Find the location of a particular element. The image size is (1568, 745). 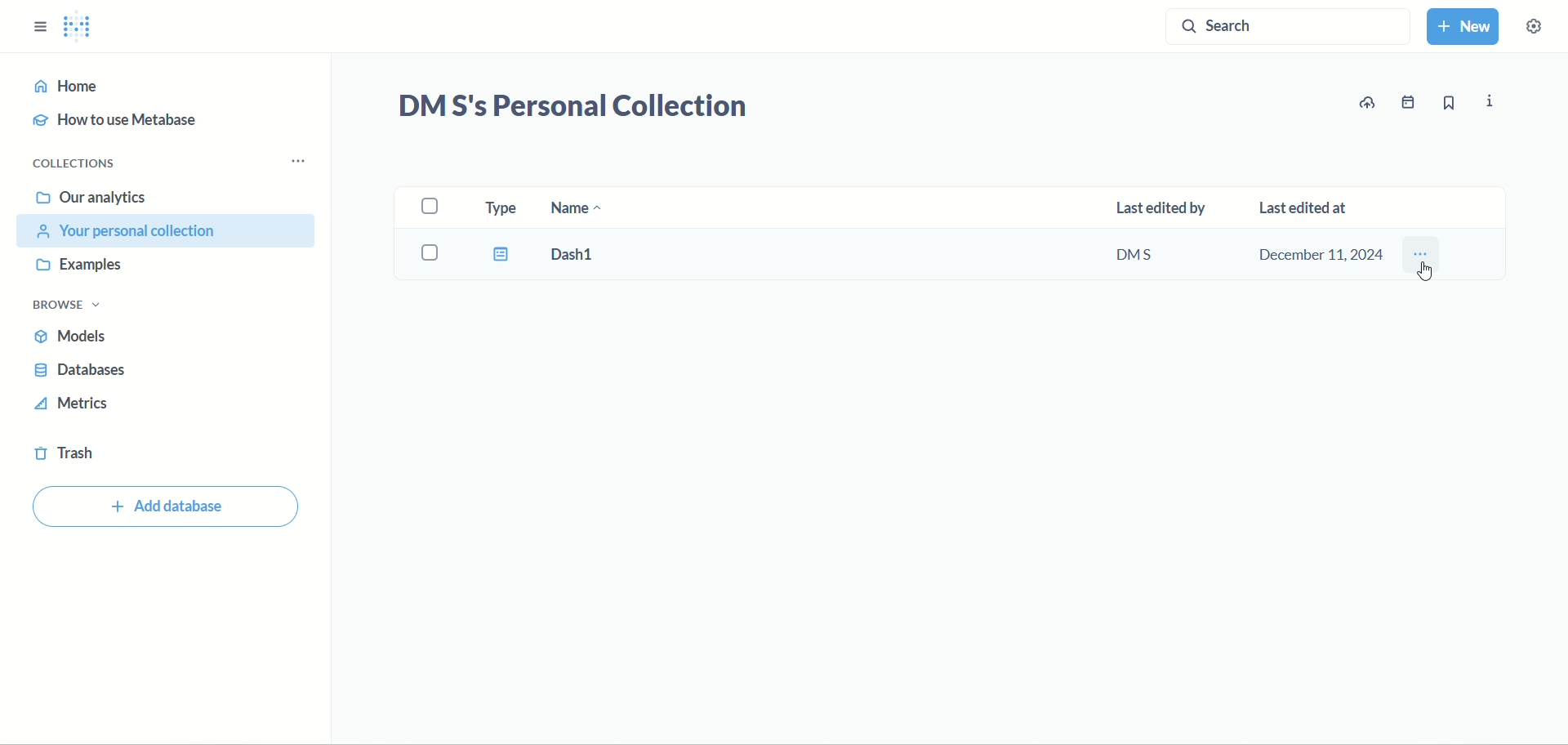

cursor is located at coordinates (1428, 274).